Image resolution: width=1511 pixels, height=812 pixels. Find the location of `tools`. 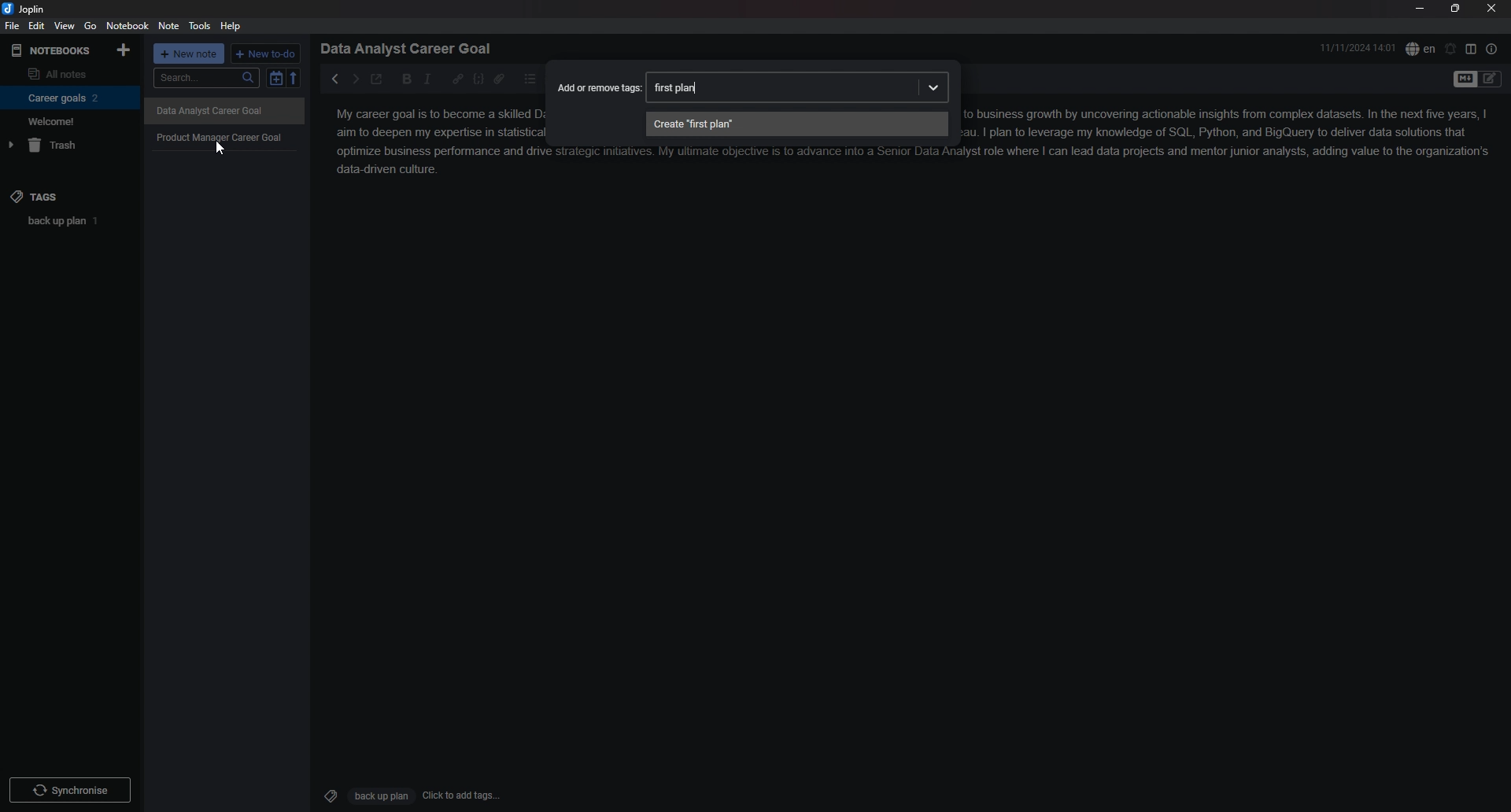

tools is located at coordinates (200, 26).